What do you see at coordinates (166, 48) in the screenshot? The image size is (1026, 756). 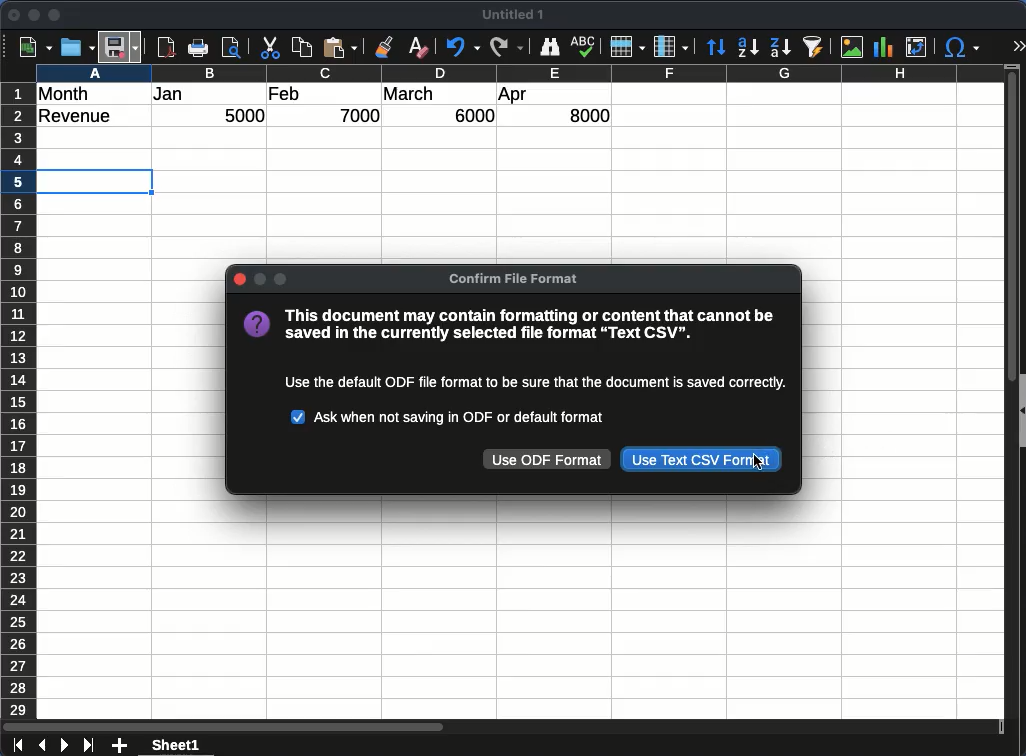 I see `pdf reader` at bounding box center [166, 48].